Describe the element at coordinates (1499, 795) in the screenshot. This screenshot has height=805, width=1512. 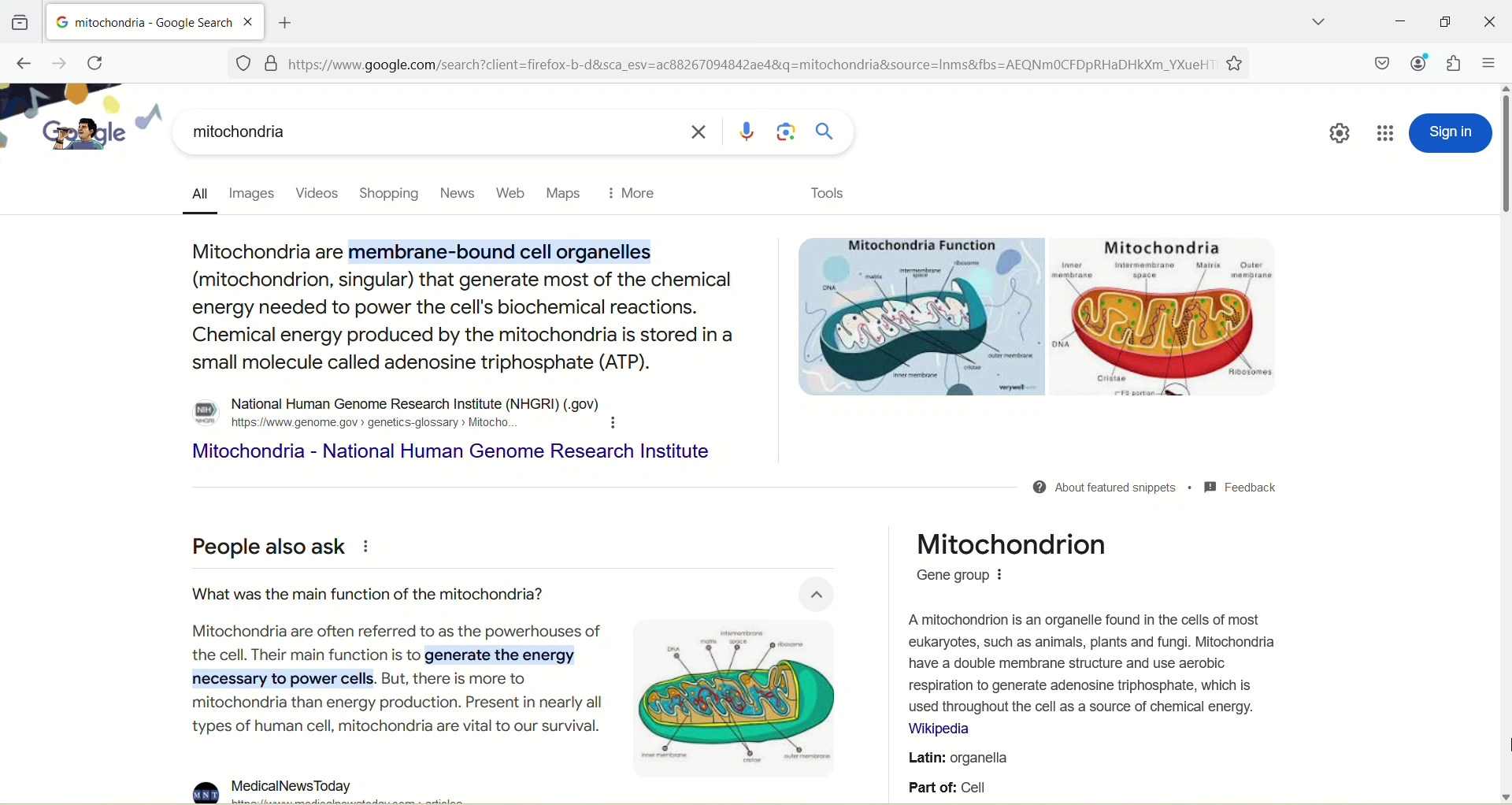
I see `scroll down` at that location.